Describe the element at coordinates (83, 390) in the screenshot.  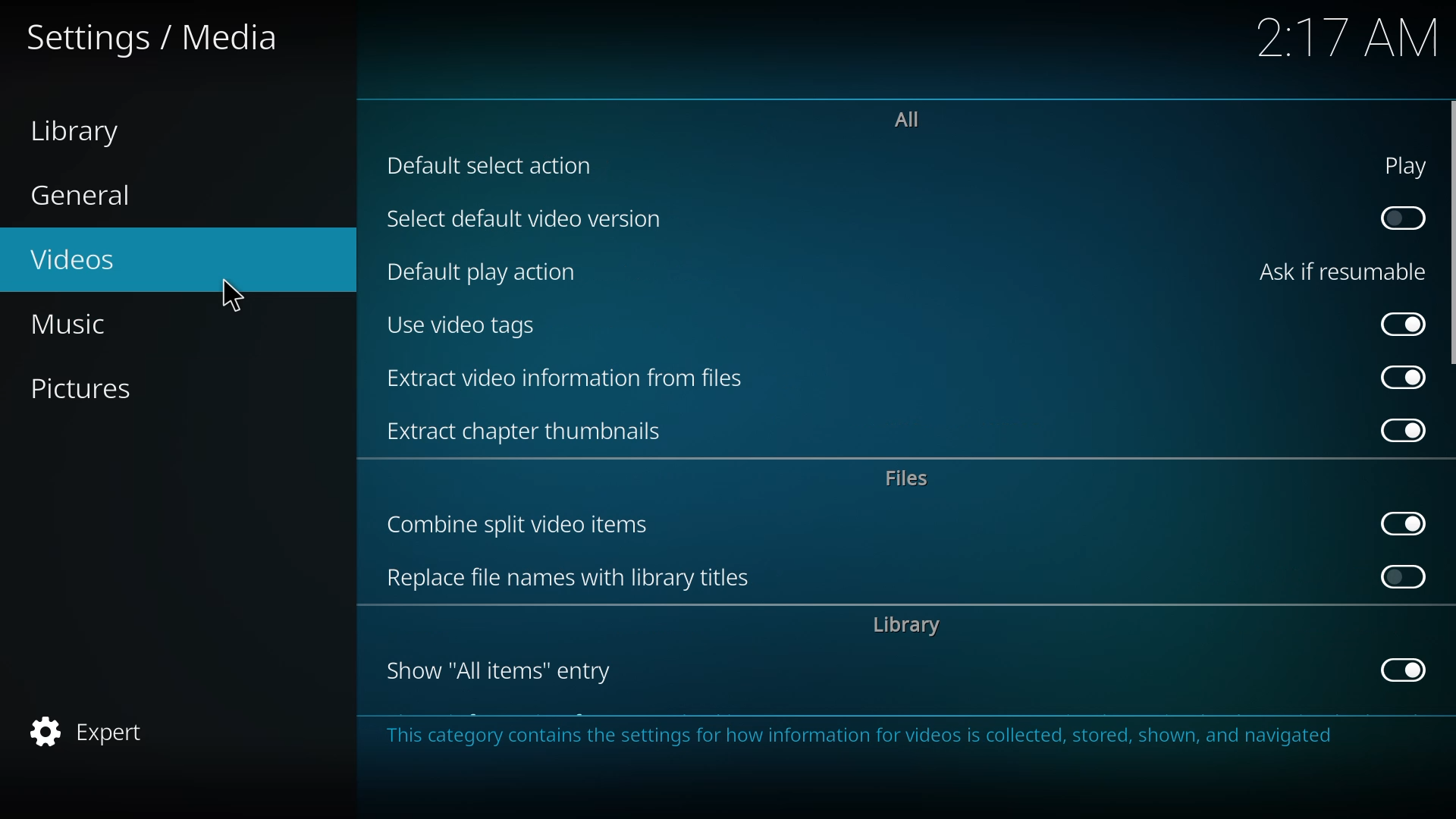
I see `pictures` at that location.